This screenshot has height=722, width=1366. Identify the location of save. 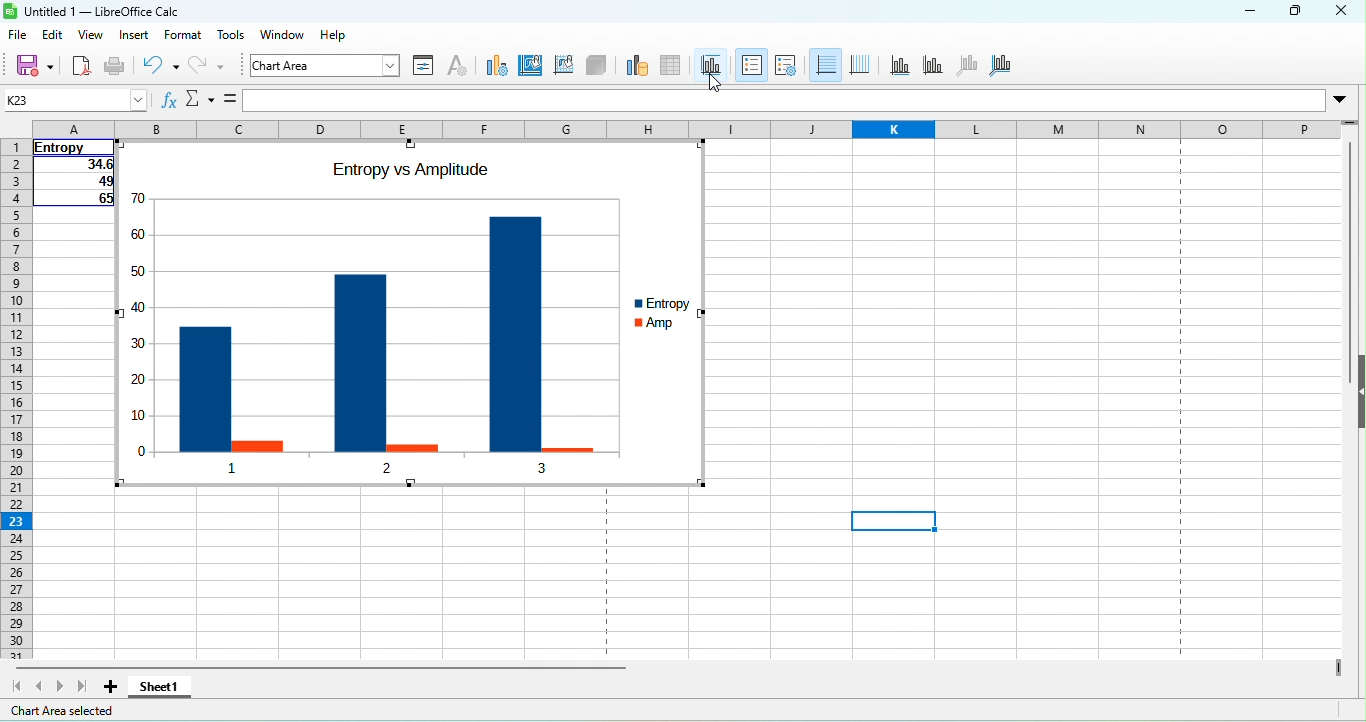
(35, 67).